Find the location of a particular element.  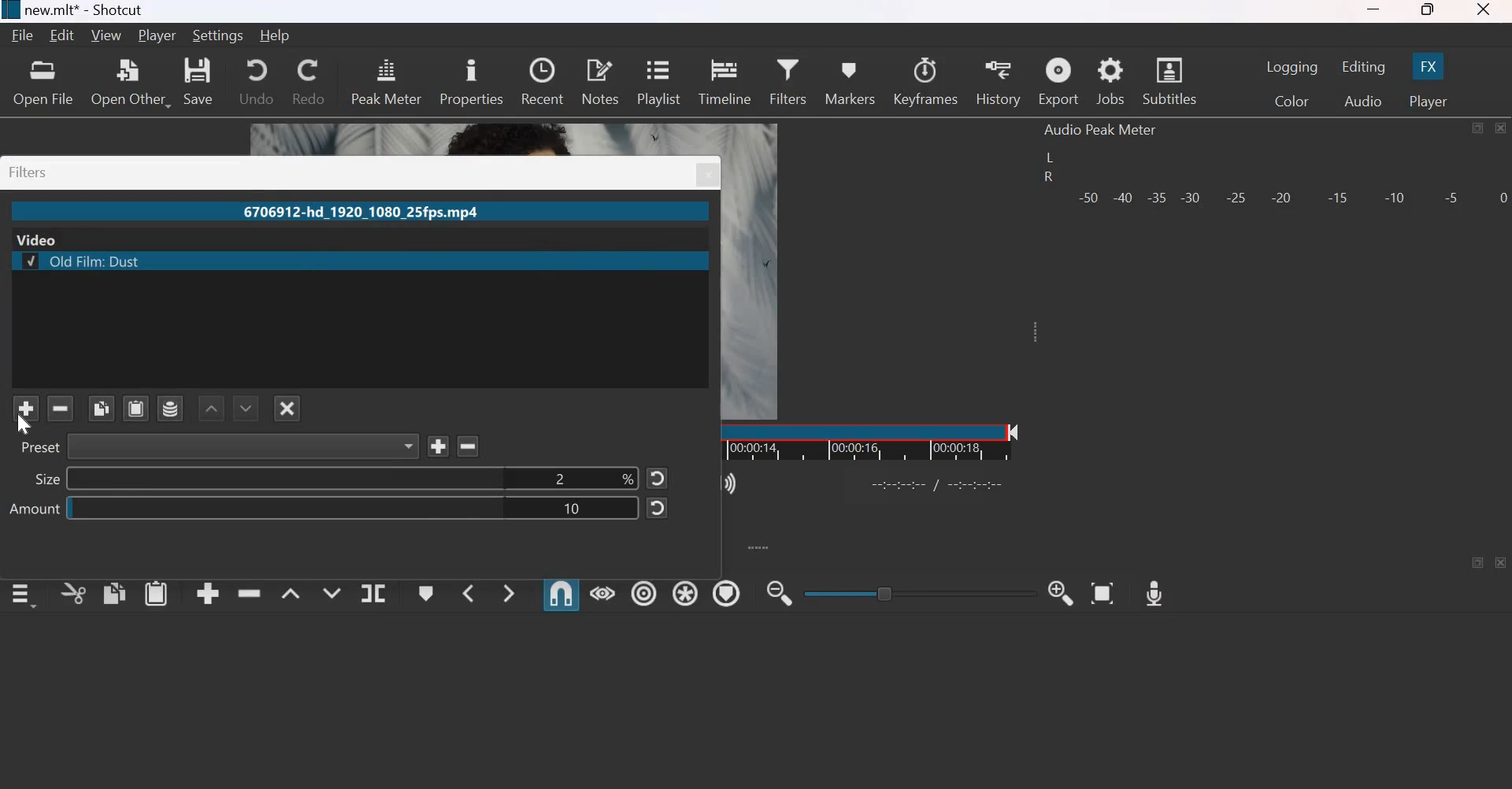

copy is located at coordinates (114, 593).